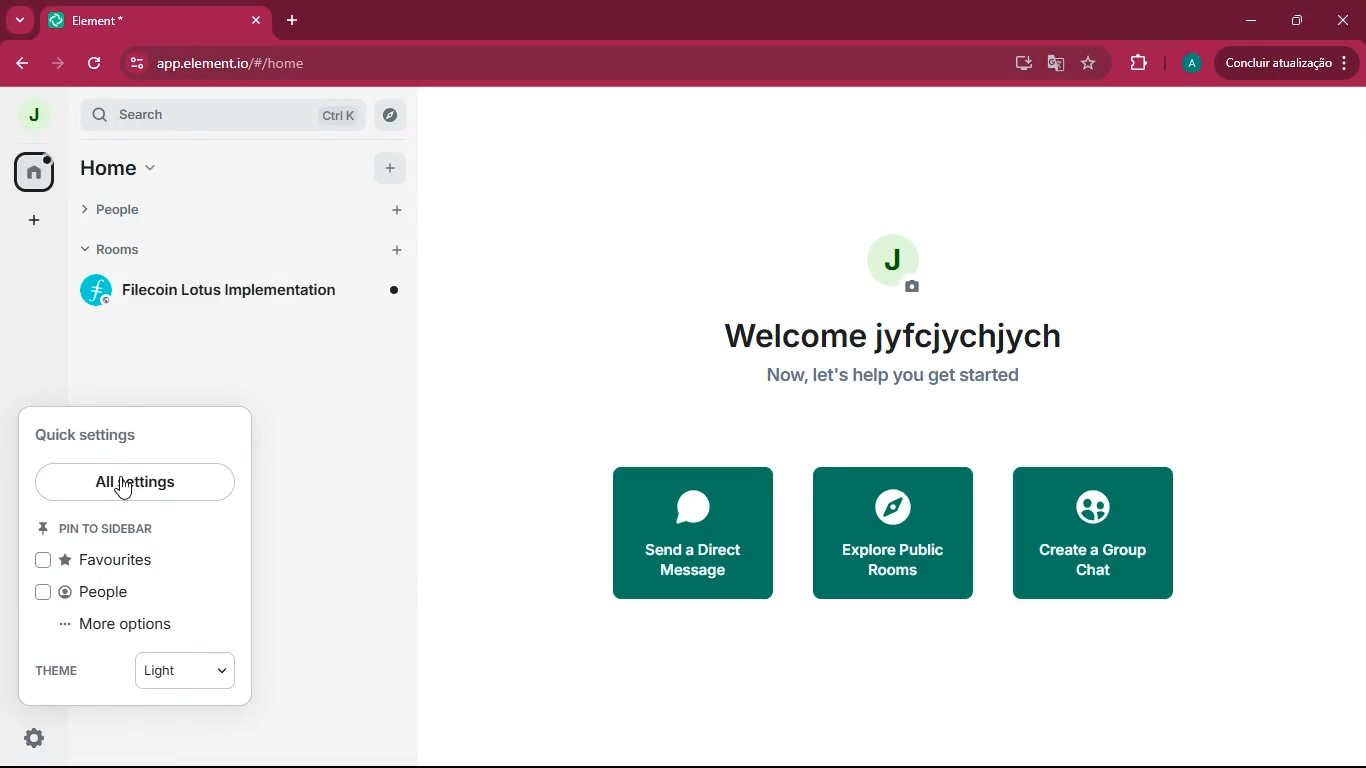 Image resolution: width=1366 pixels, height=768 pixels. Describe the element at coordinates (22, 21) in the screenshot. I see `more` at that location.